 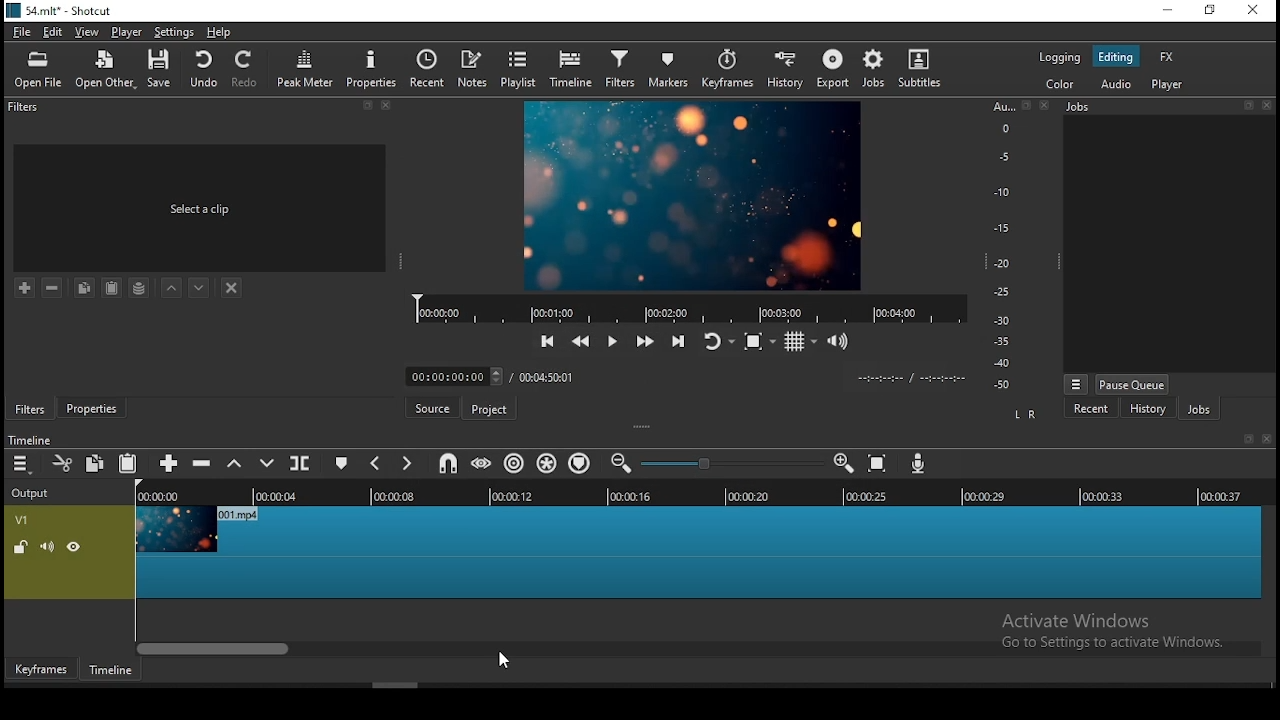 I want to click on , so click(x=1270, y=439).